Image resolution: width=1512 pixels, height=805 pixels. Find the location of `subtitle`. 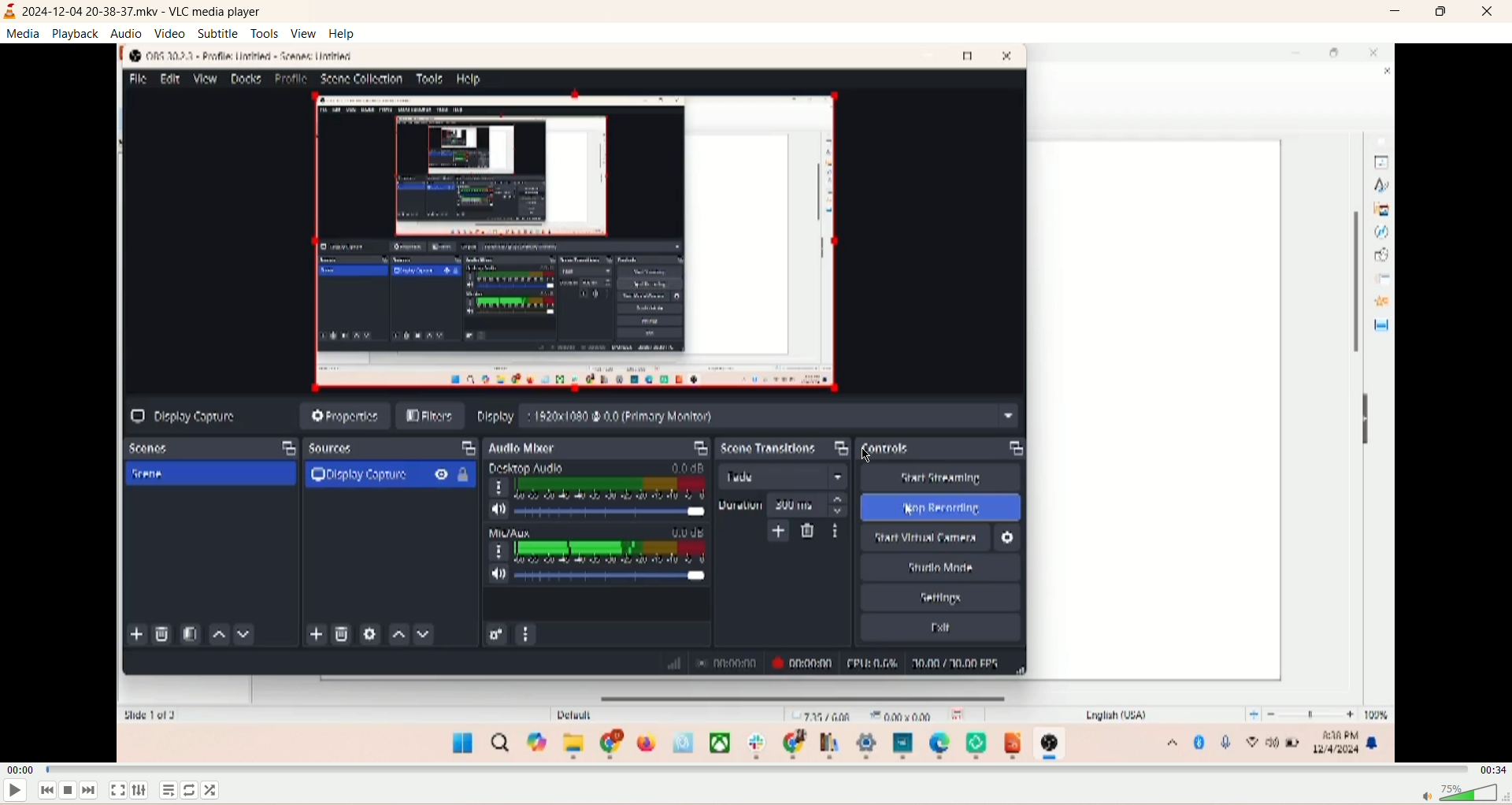

subtitle is located at coordinates (218, 33).